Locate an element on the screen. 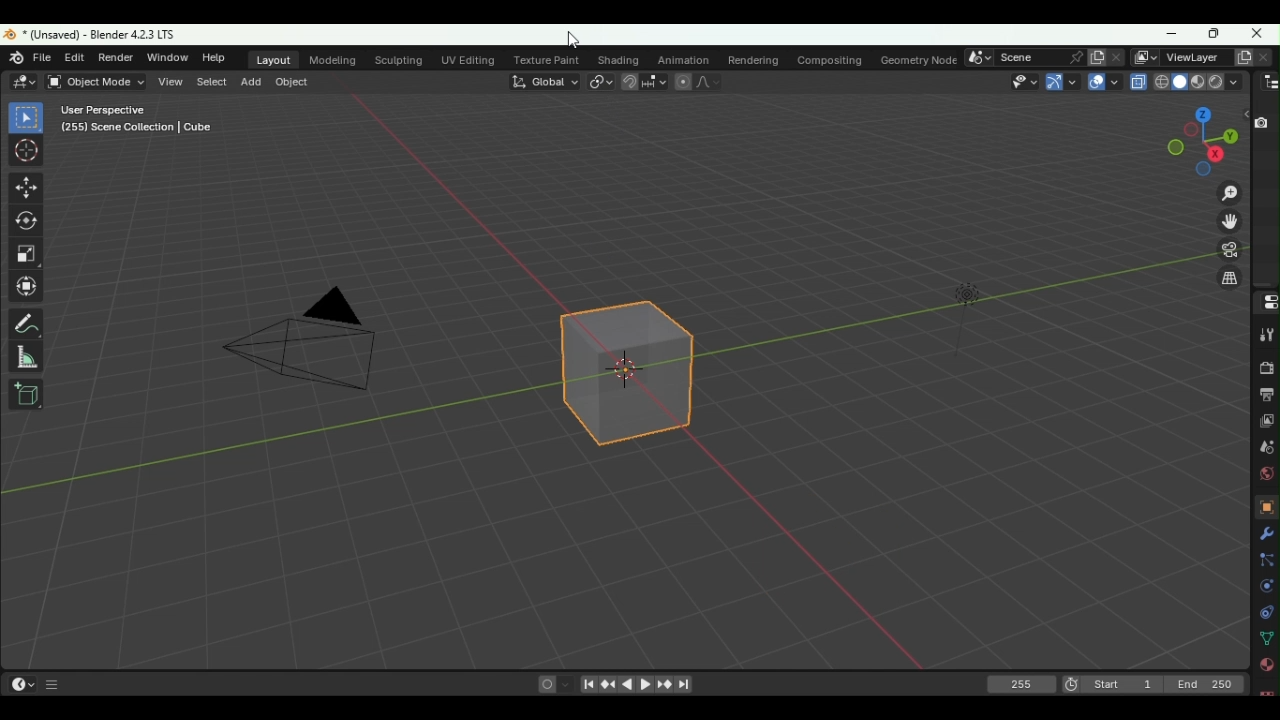 Image resolution: width=1280 pixels, height=720 pixels. Transformation orientation is located at coordinates (547, 81).